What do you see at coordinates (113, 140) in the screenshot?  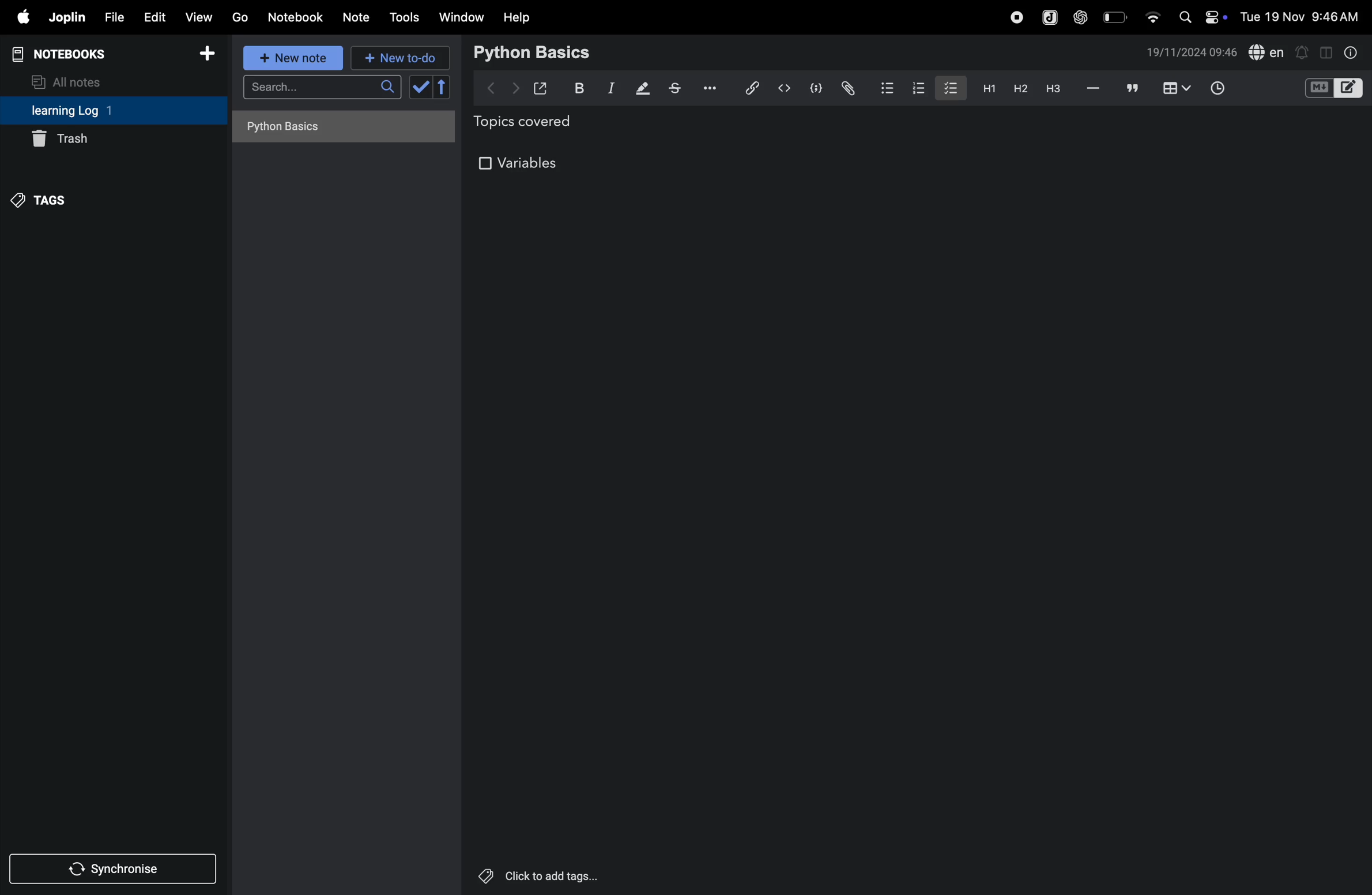 I see `trash` at bounding box center [113, 140].